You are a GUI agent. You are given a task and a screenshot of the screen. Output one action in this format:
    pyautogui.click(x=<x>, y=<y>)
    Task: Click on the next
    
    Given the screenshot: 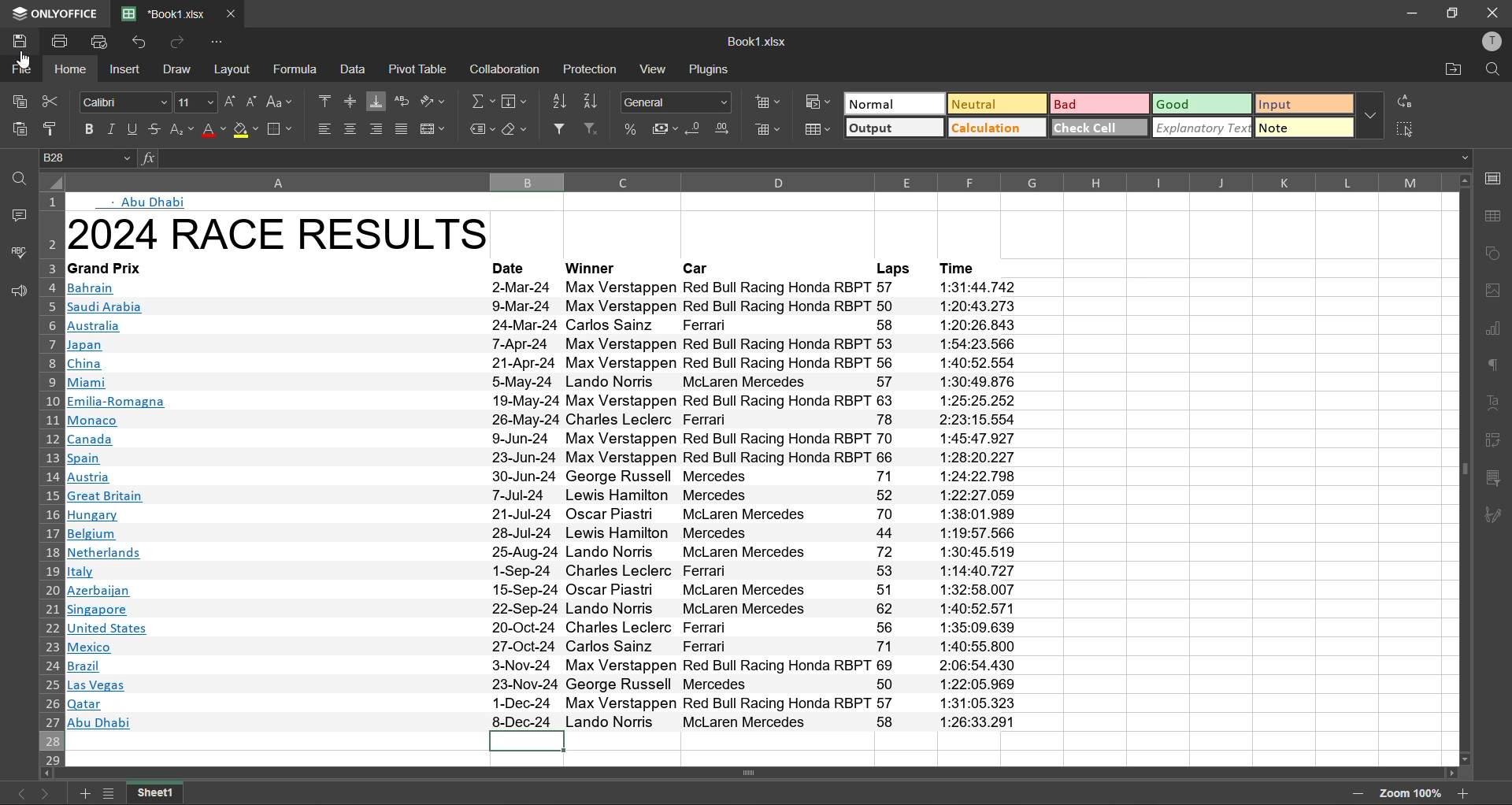 What is the action you would take?
    pyautogui.click(x=46, y=794)
    